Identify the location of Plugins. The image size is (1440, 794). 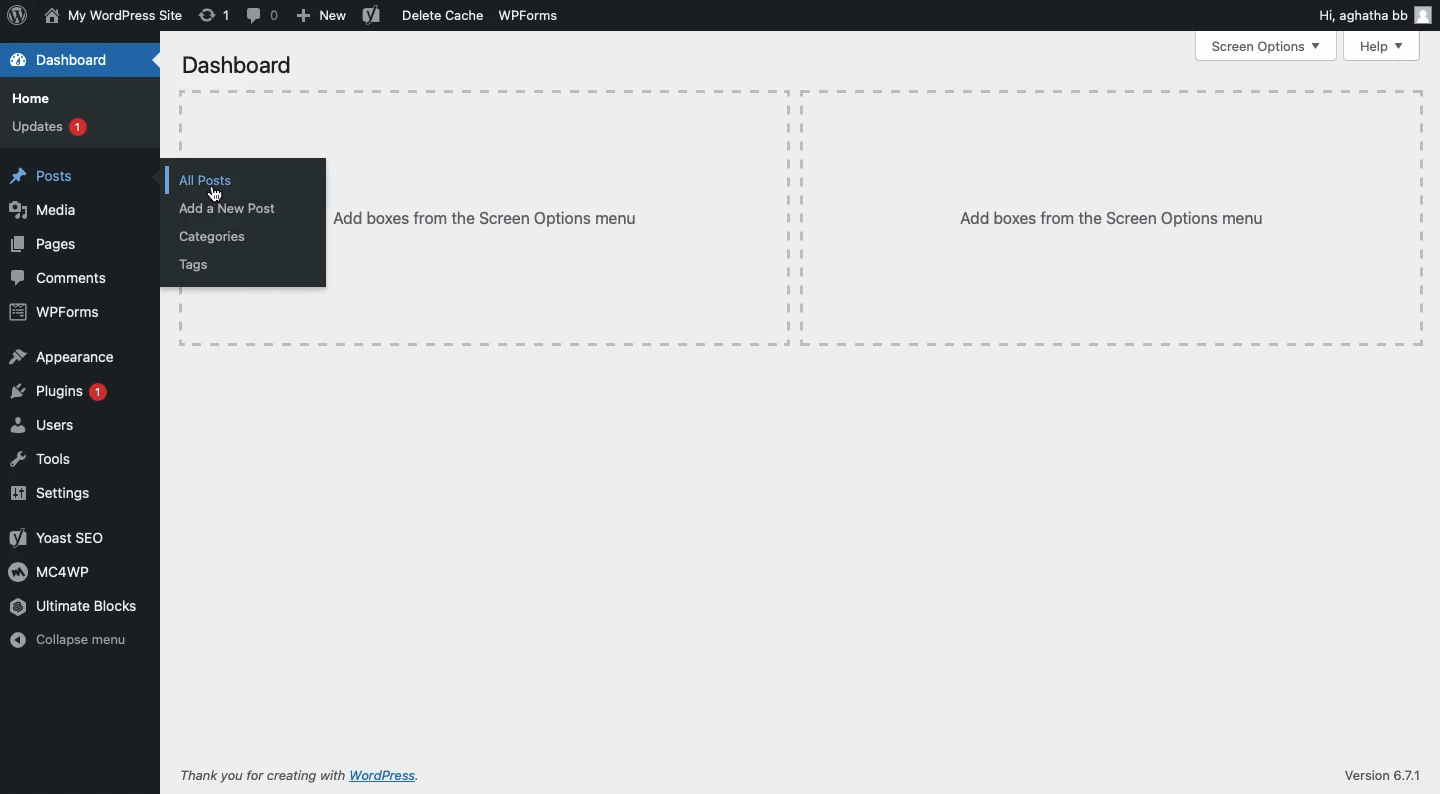
(61, 393).